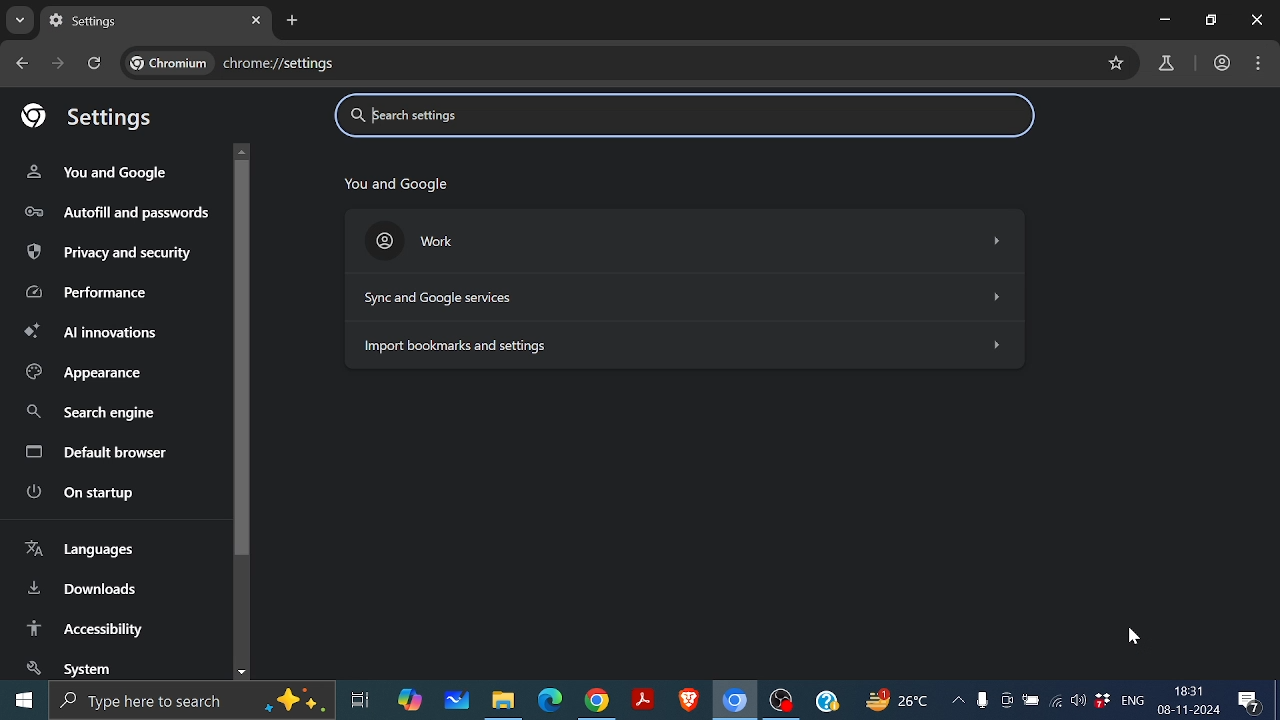 The image size is (1280, 720). What do you see at coordinates (84, 492) in the screenshot?
I see `On startup` at bounding box center [84, 492].